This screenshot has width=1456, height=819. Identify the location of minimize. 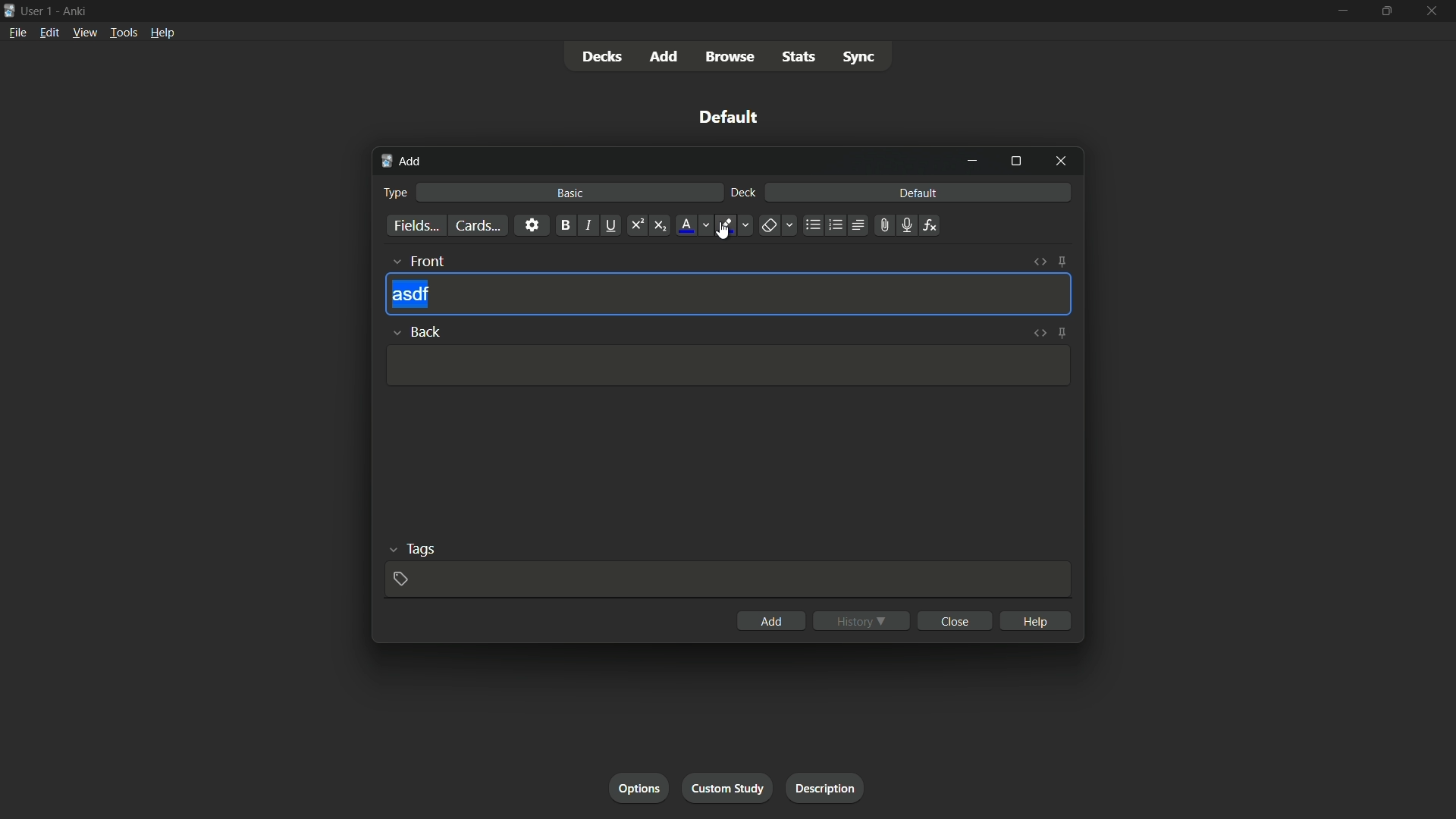
(1344, 10).